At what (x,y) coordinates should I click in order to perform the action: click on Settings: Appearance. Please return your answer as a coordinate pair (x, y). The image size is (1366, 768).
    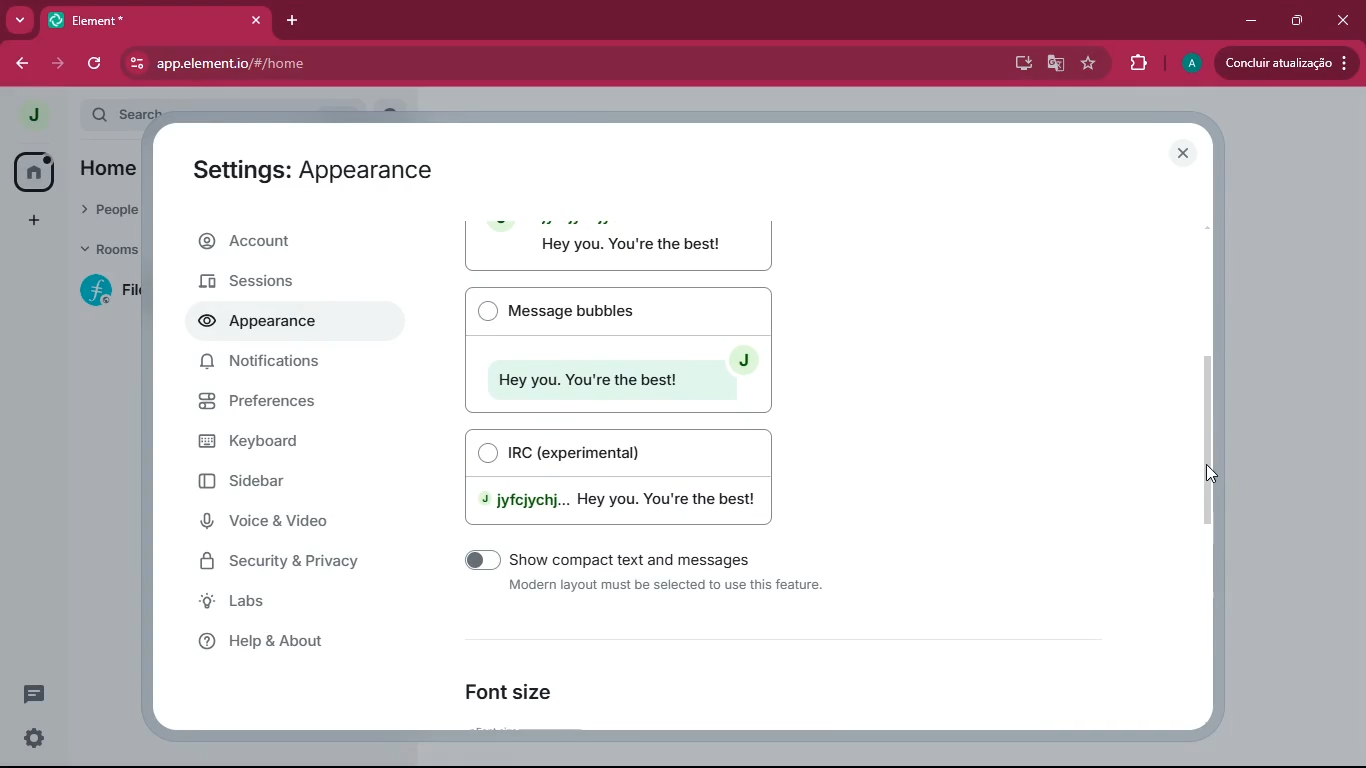
    Looking at the image, I should click on (314, 169).